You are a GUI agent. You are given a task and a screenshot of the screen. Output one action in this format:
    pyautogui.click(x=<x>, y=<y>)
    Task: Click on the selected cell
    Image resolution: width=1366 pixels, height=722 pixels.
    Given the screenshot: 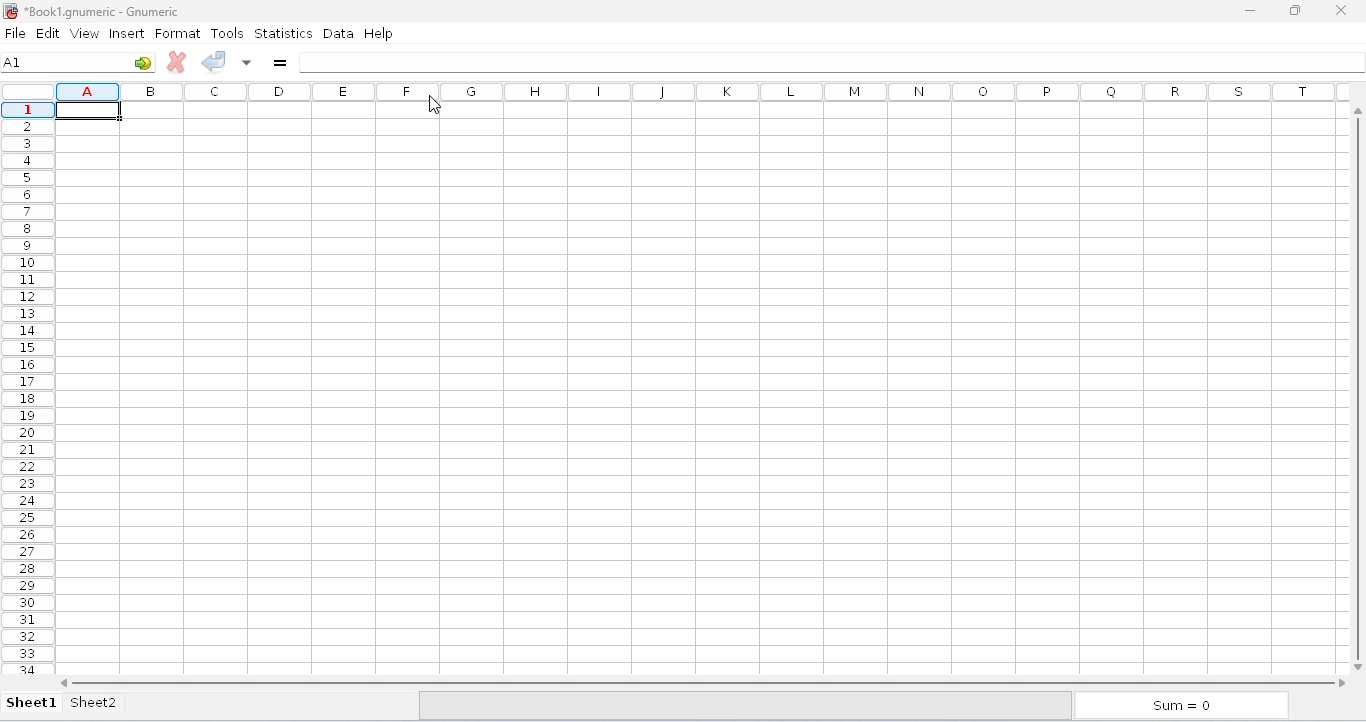 What is the action you would take?
    pyautogui.click(x=92, y=113)
    